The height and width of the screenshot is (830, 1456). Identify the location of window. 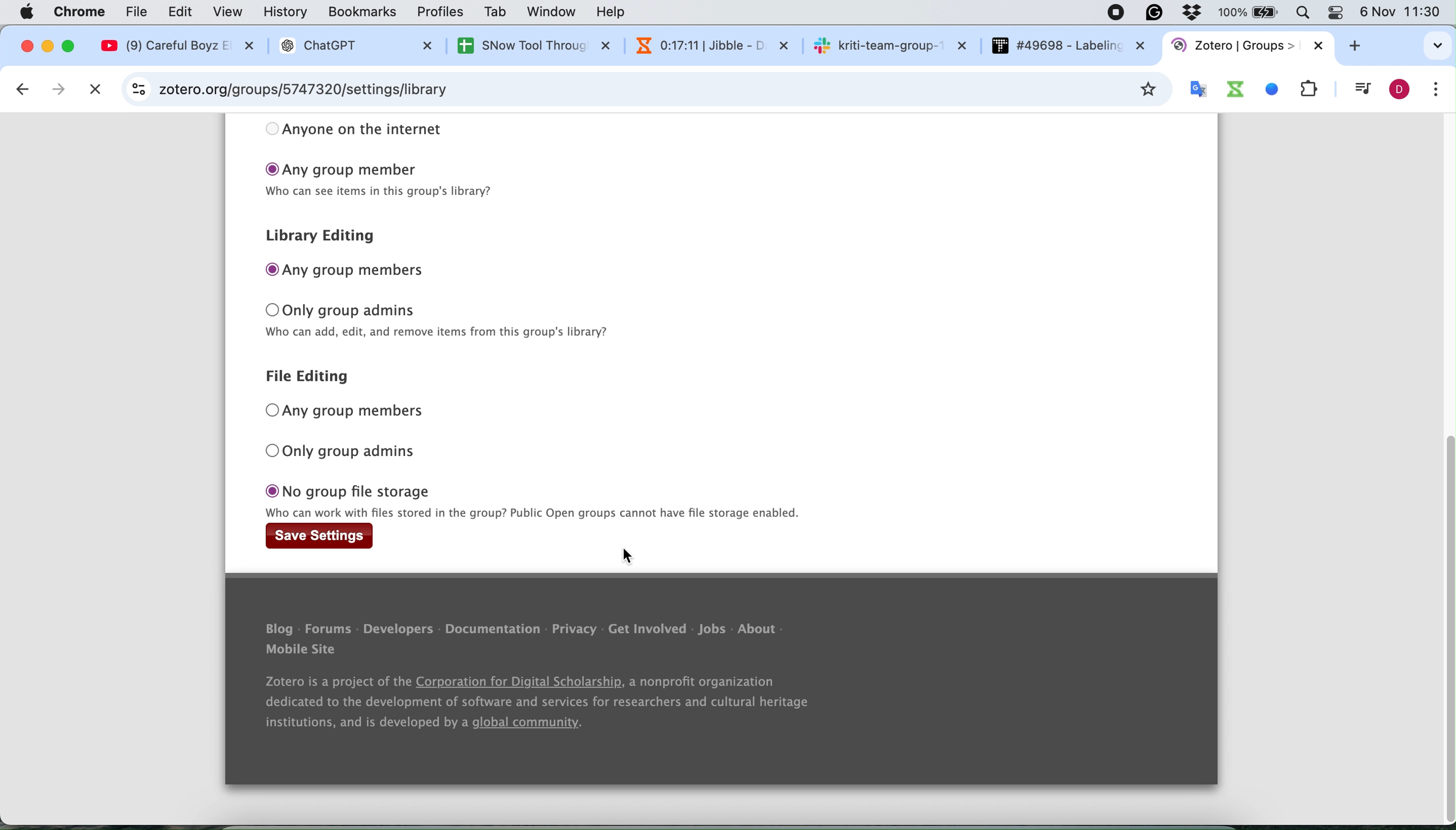
(554, 13).